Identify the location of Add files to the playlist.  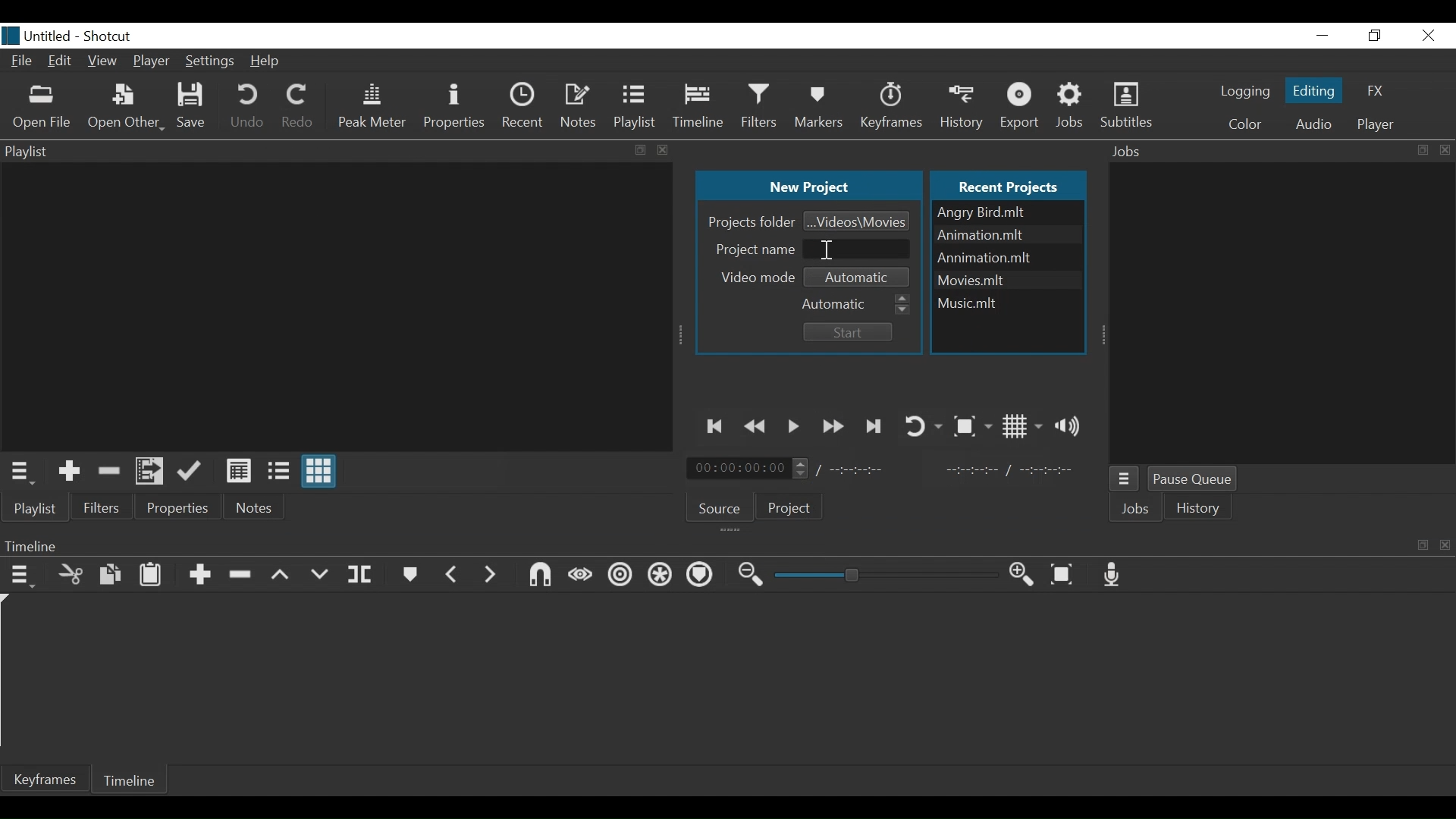
(152, 472).